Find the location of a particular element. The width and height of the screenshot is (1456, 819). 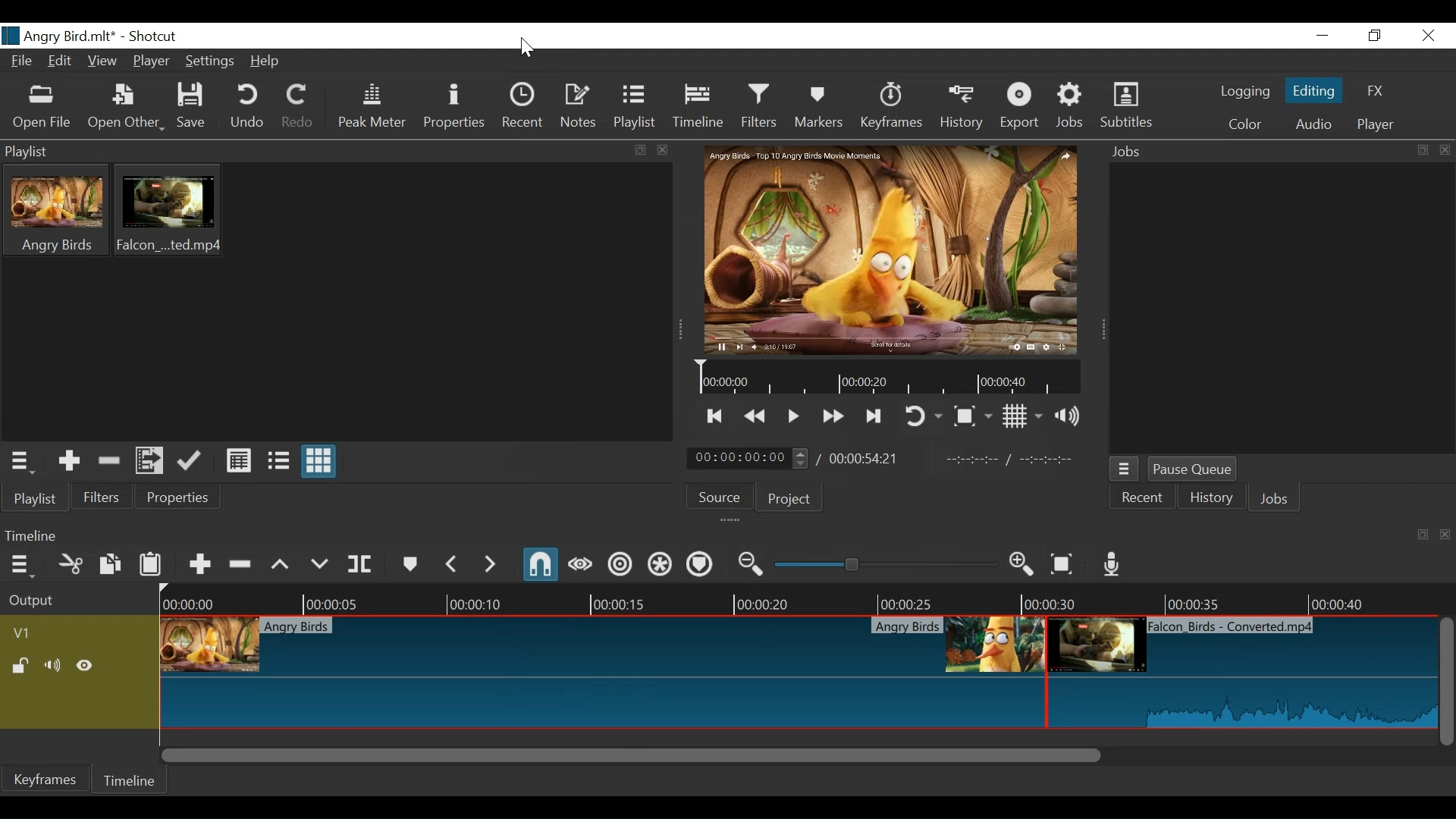

View as icons is located at coordinates (318, 462).